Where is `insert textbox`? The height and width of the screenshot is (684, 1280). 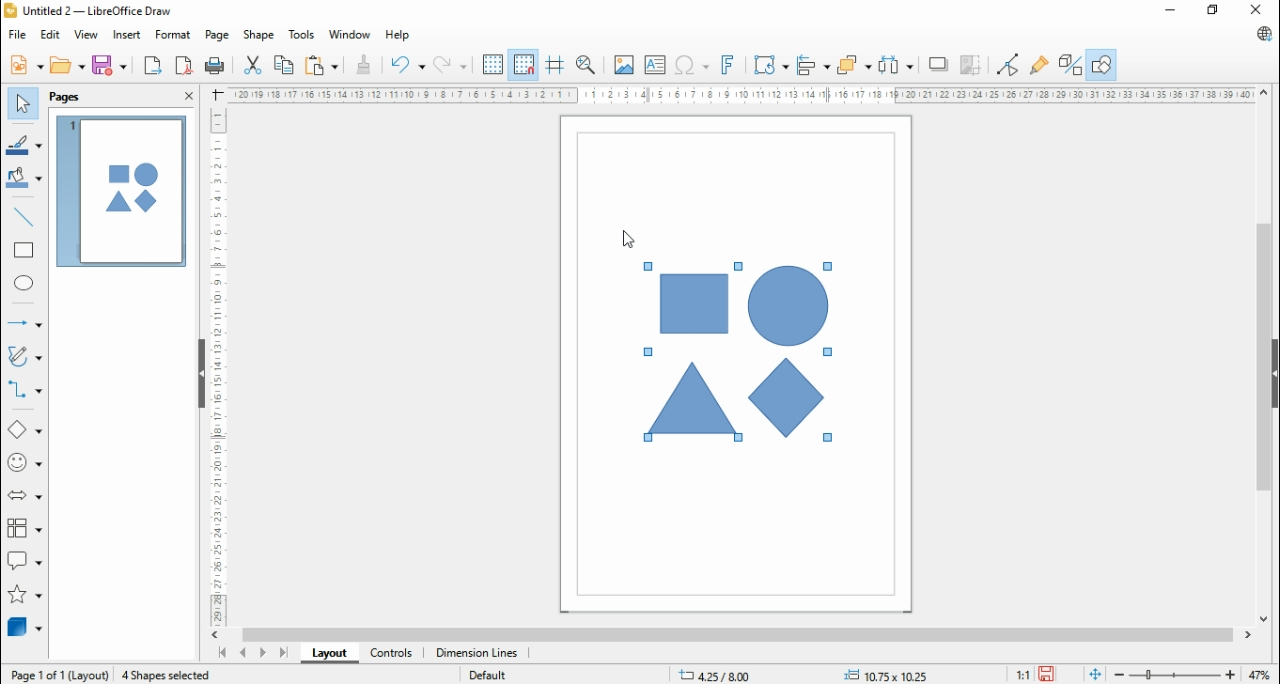 insert textbox is located at coordinates (655, 65).